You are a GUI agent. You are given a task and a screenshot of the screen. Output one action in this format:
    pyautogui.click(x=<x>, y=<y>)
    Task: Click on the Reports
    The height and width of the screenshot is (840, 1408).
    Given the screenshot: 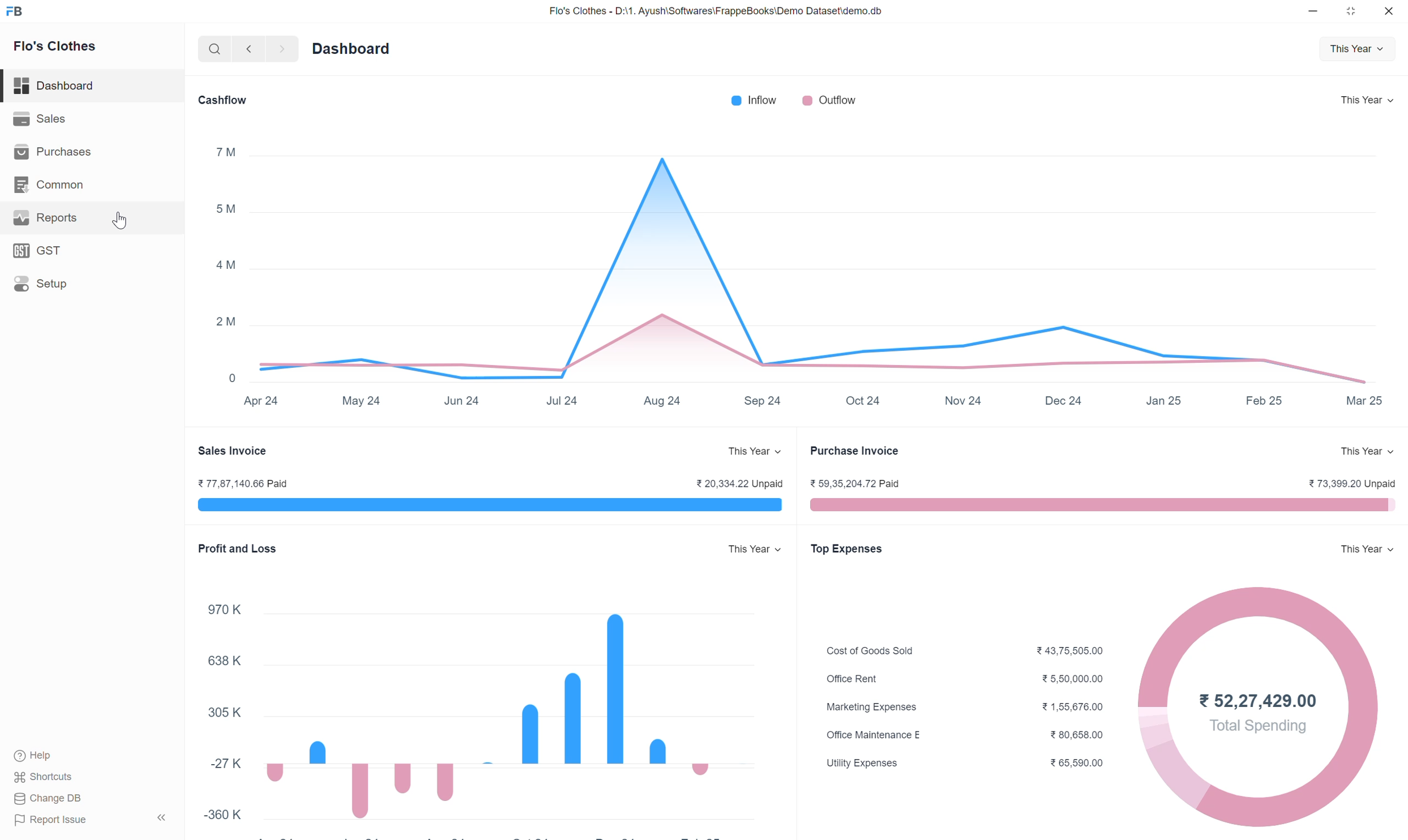 What is the action you would take?
    pyautogui.click(x=46, y=222)
    